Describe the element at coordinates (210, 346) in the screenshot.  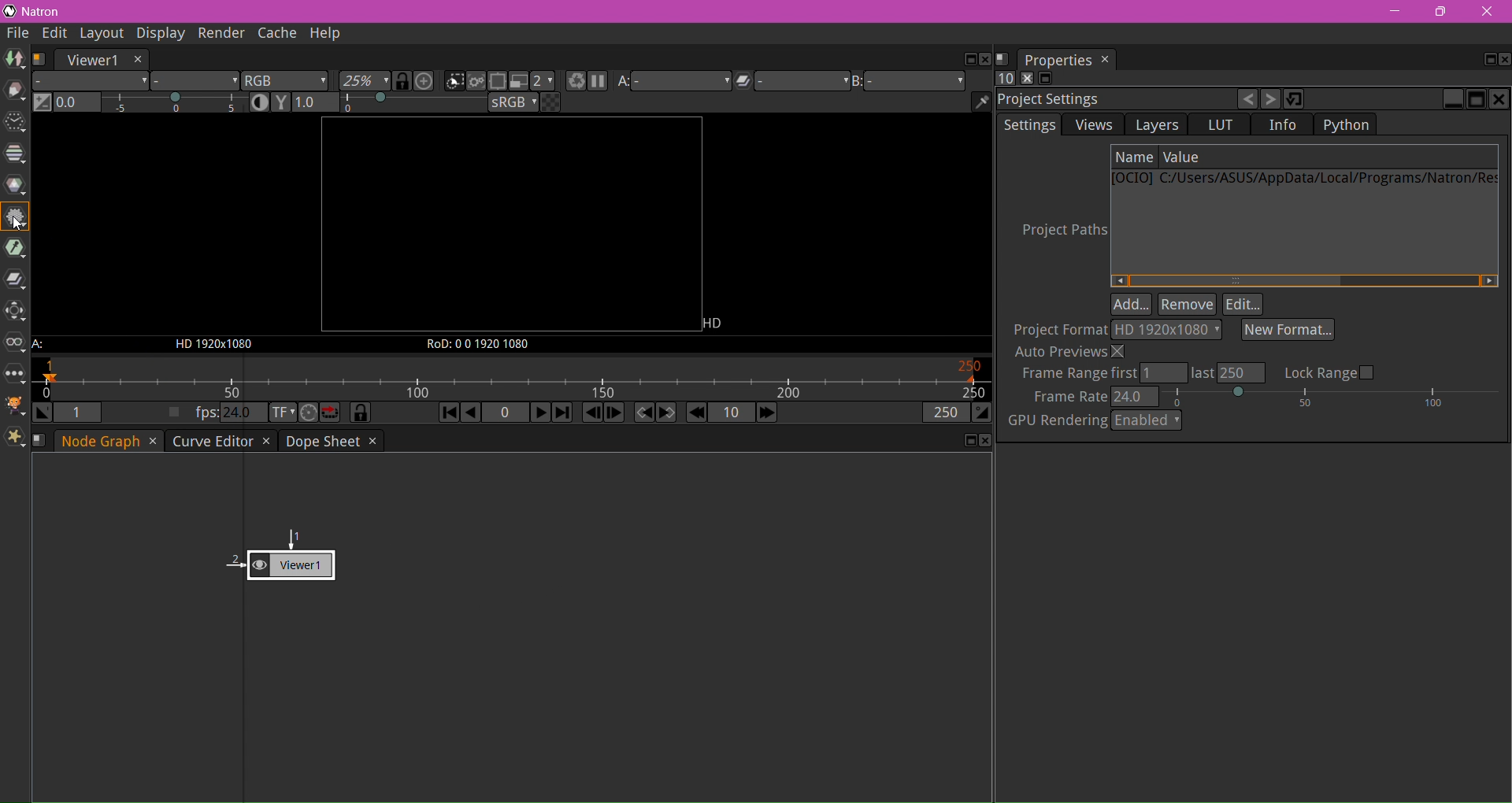
I see `Image Format` at that location.